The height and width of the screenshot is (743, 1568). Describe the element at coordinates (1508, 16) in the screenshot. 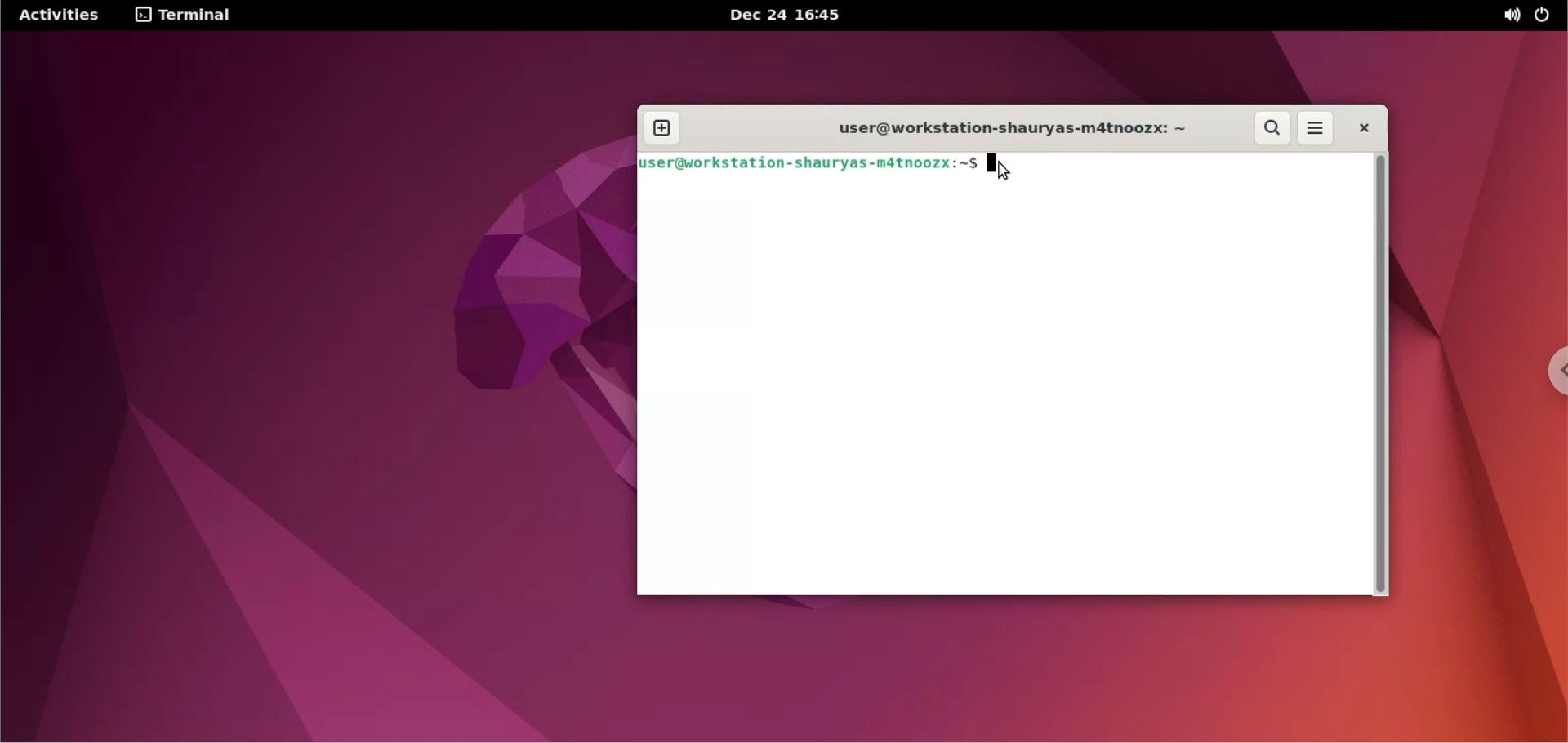

I see `sound options` at that location.